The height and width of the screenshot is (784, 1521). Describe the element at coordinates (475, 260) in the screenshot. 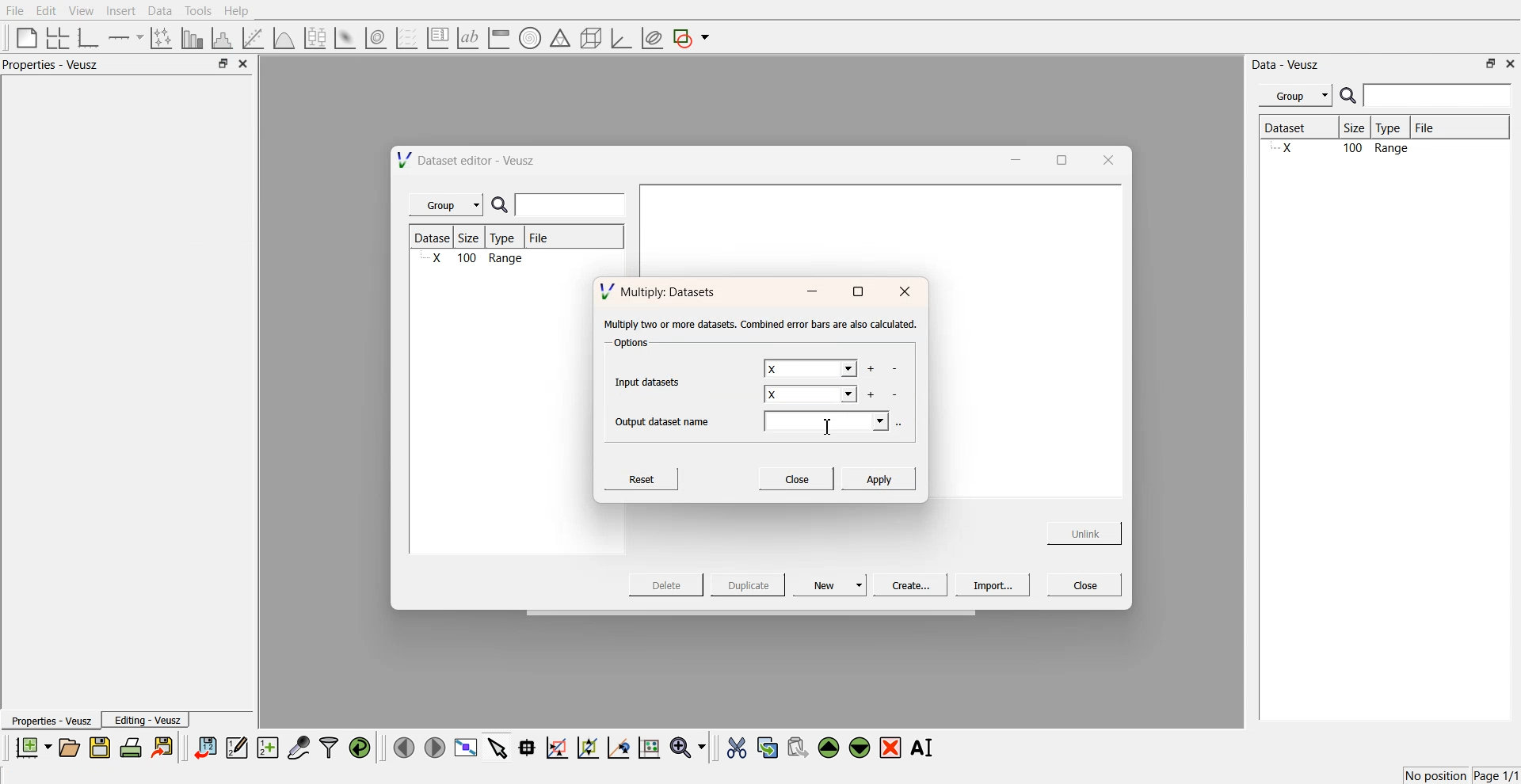

I see `X 100 Range` at that location.